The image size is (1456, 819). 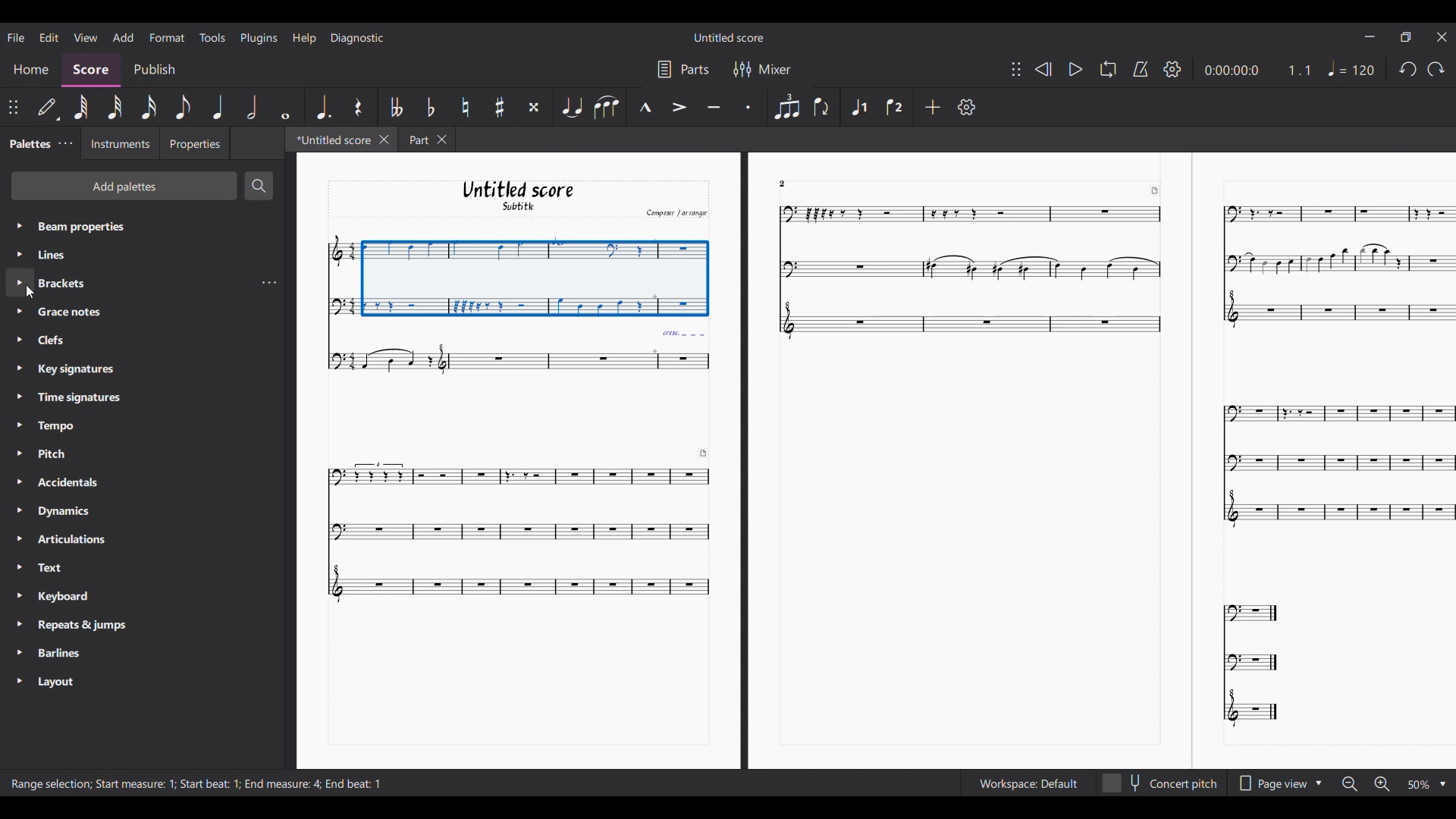 What do you see at coordinates (13, 108) in the screenshot?
I see `Change position` at bounding box center [13, 108].